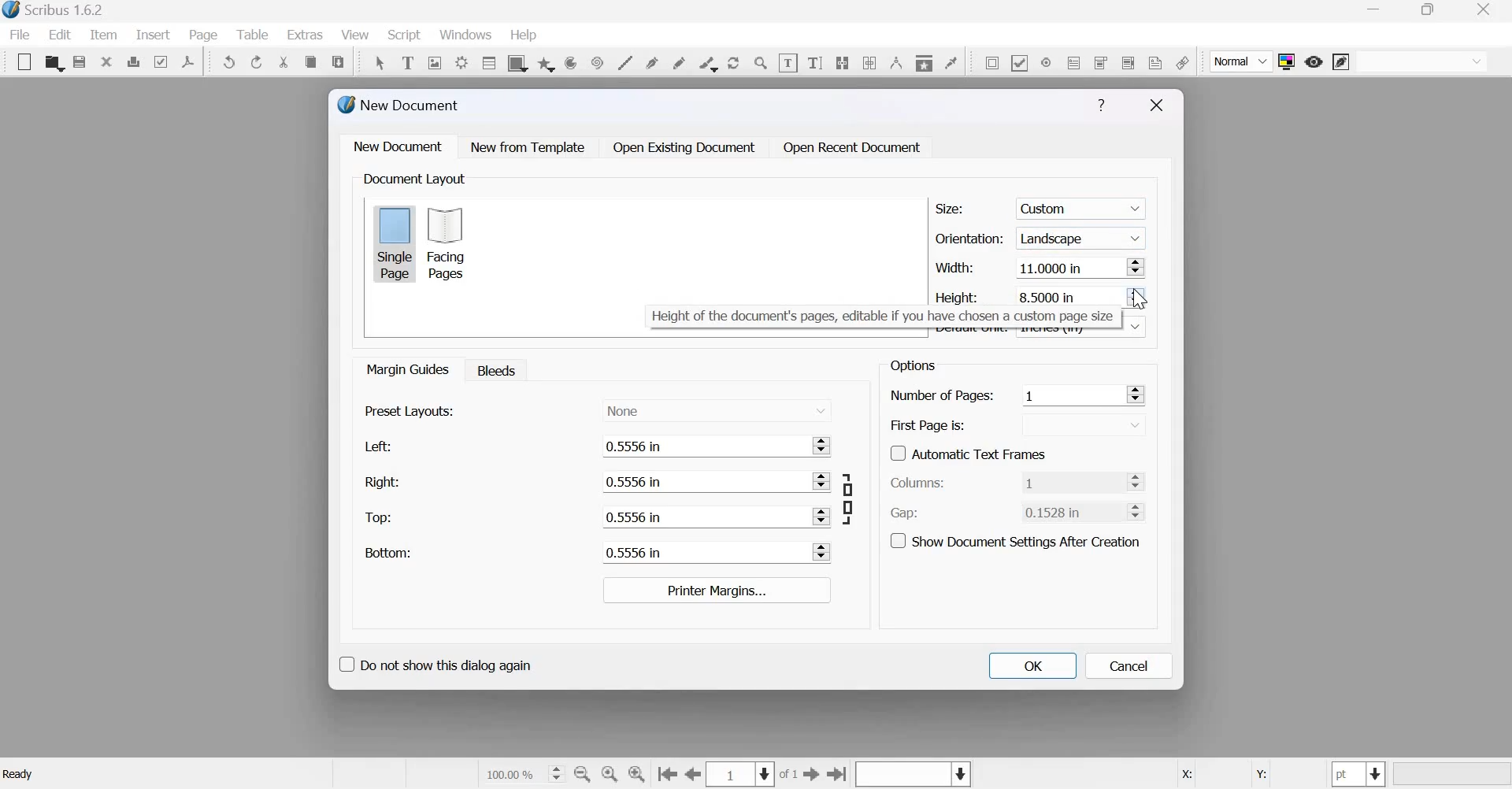 This screenshot has height=789, width=1512. I want to click on Increase and Decrease, so click(1140, 510).